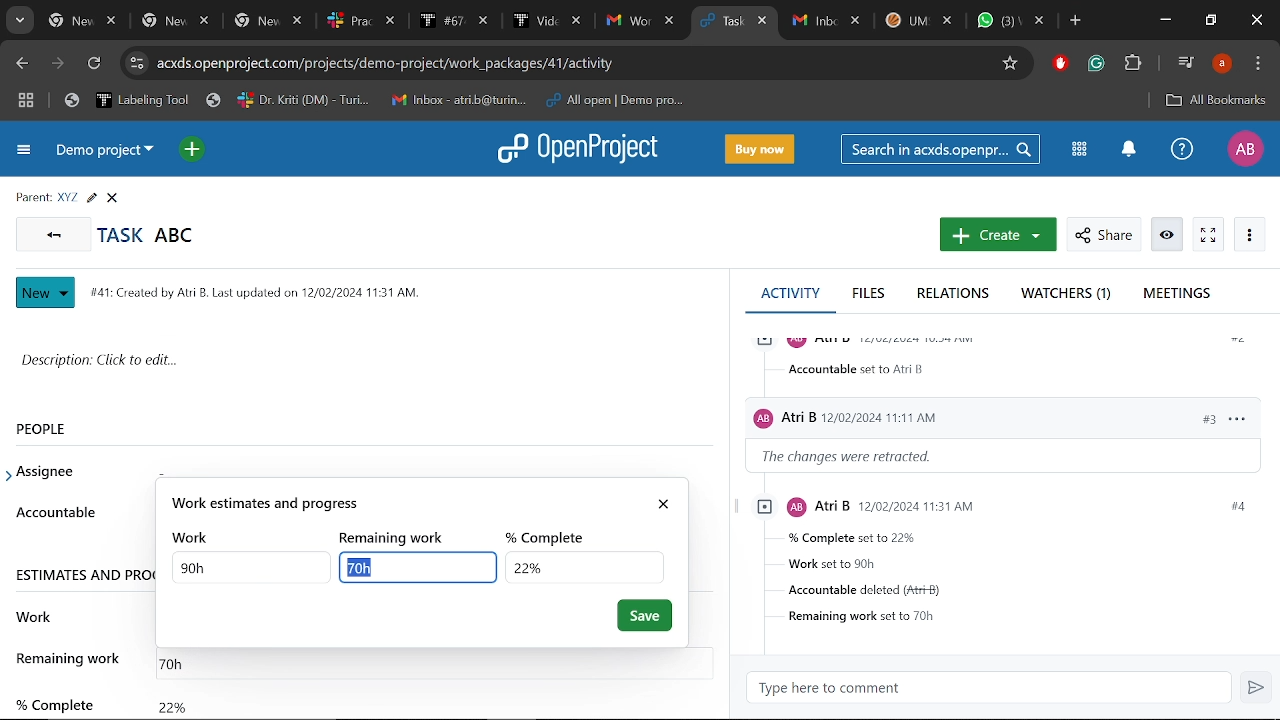 The height and width of the screenshot is (720, 1280). Describe the element at coordinates (107, 154) in the screenshot. I see `Current projrct` at that location.